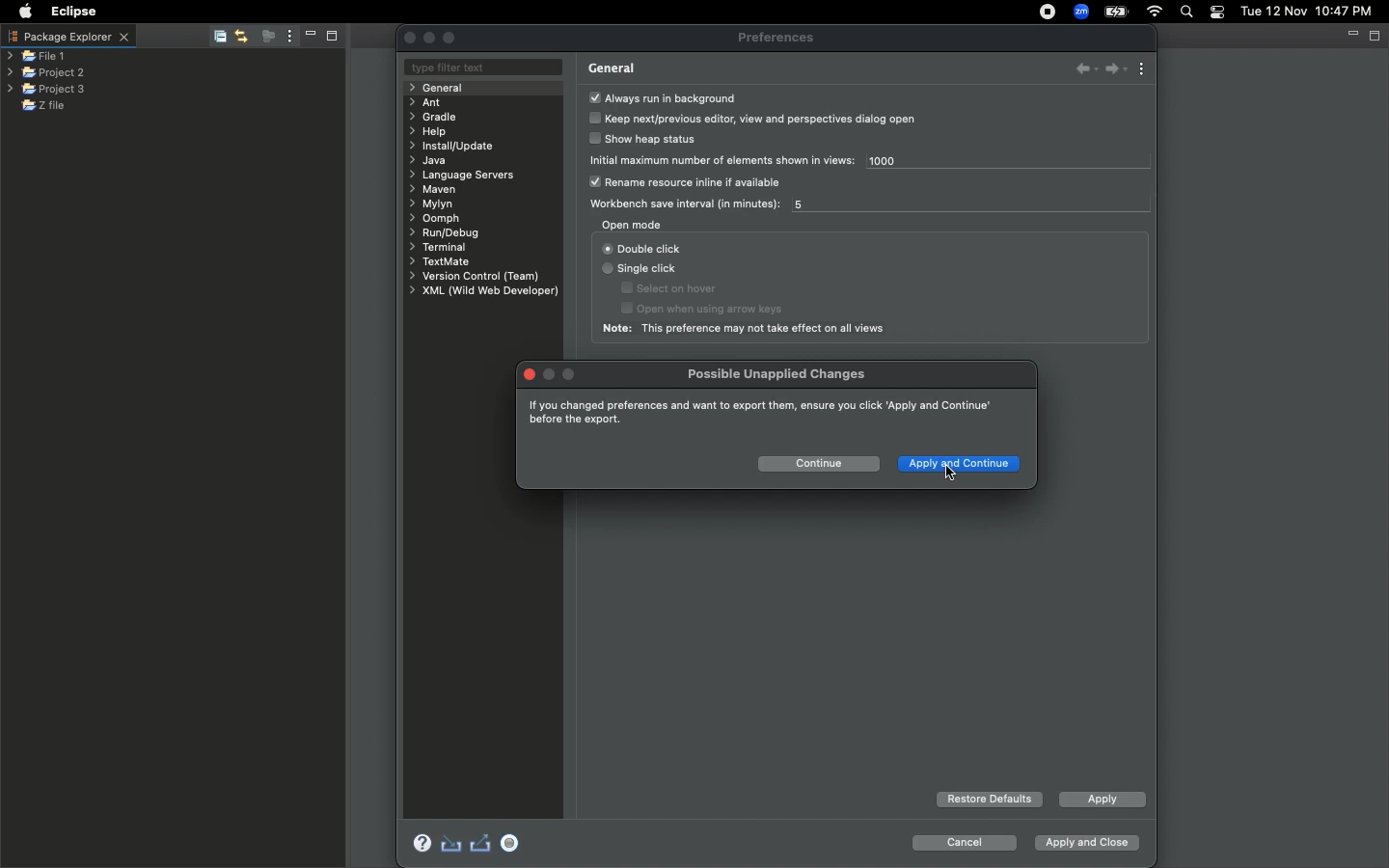 This screenshot has height=868, width=1389. What do you see at coordinates (1101, 801) in the screenshot?
I see `Apply` at bounding box center [1101, 801].